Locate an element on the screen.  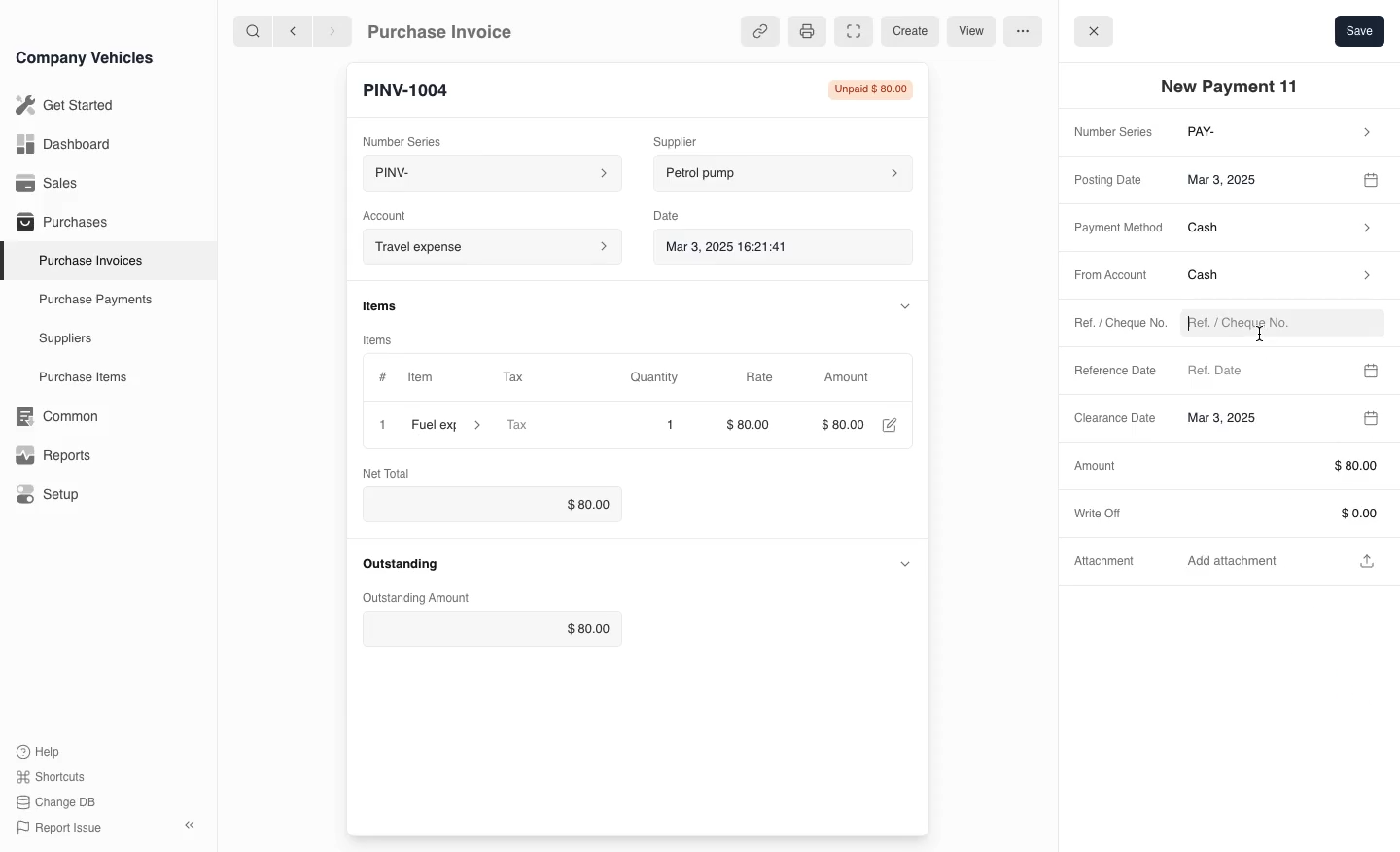
full screen is located at coordinates (853, 32).